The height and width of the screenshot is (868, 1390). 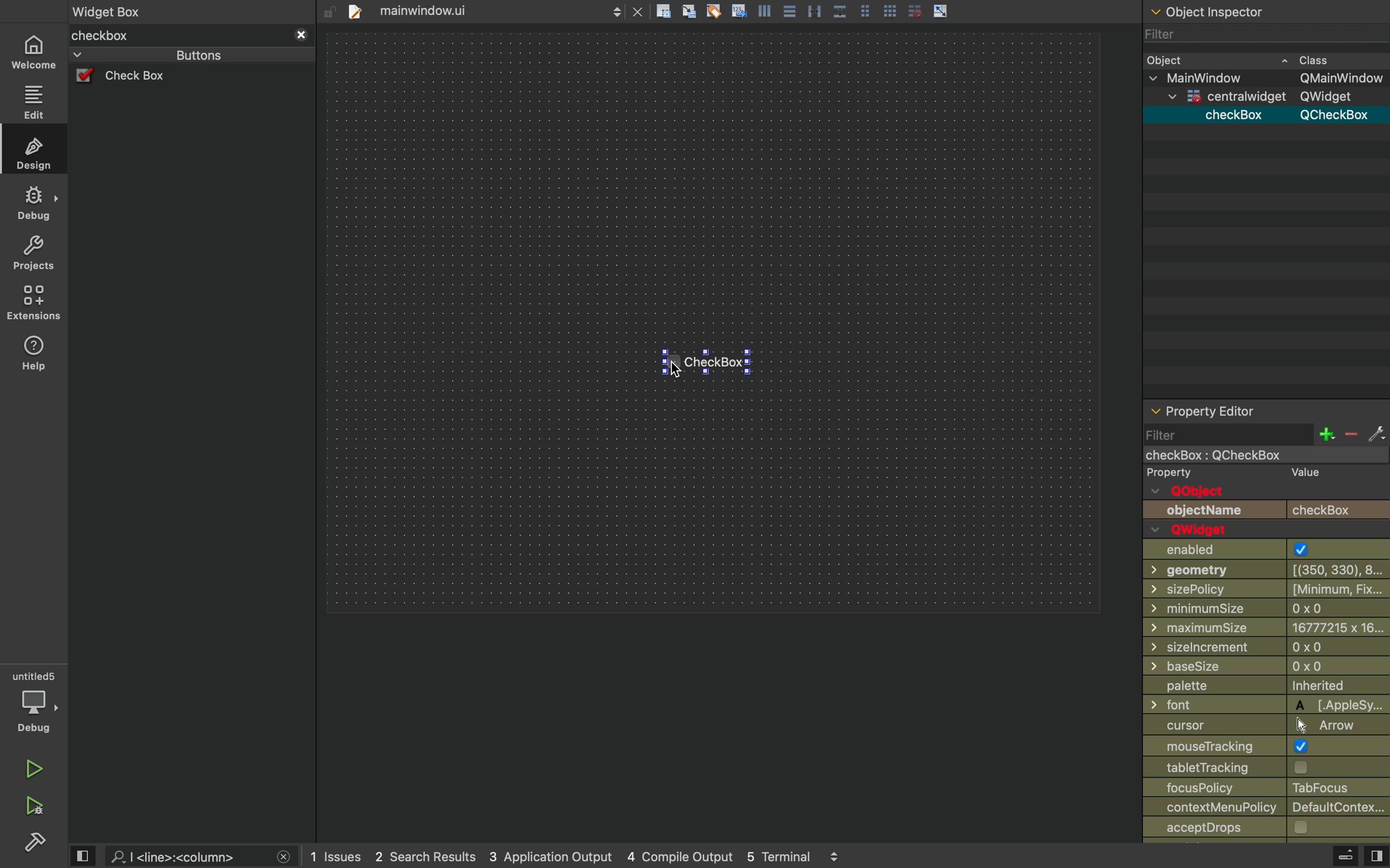 What do you see at coordinates (34, 152) in the screenshot?
I see `design` at bounding box center [34, 152].